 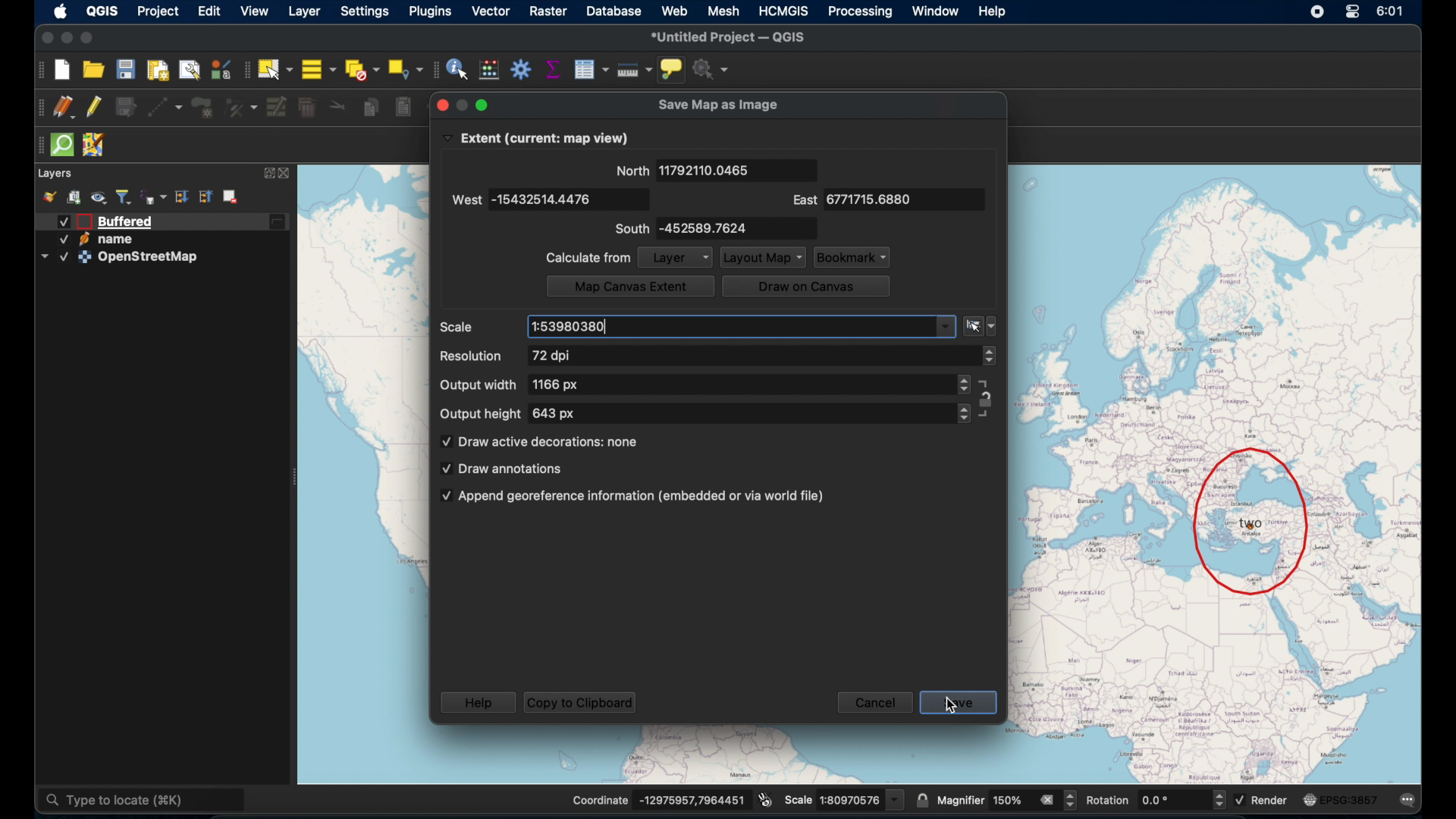 What do you see at coordinates (211, 11) in the screenshot?
I see `edit` at bounding box center [211, 11].